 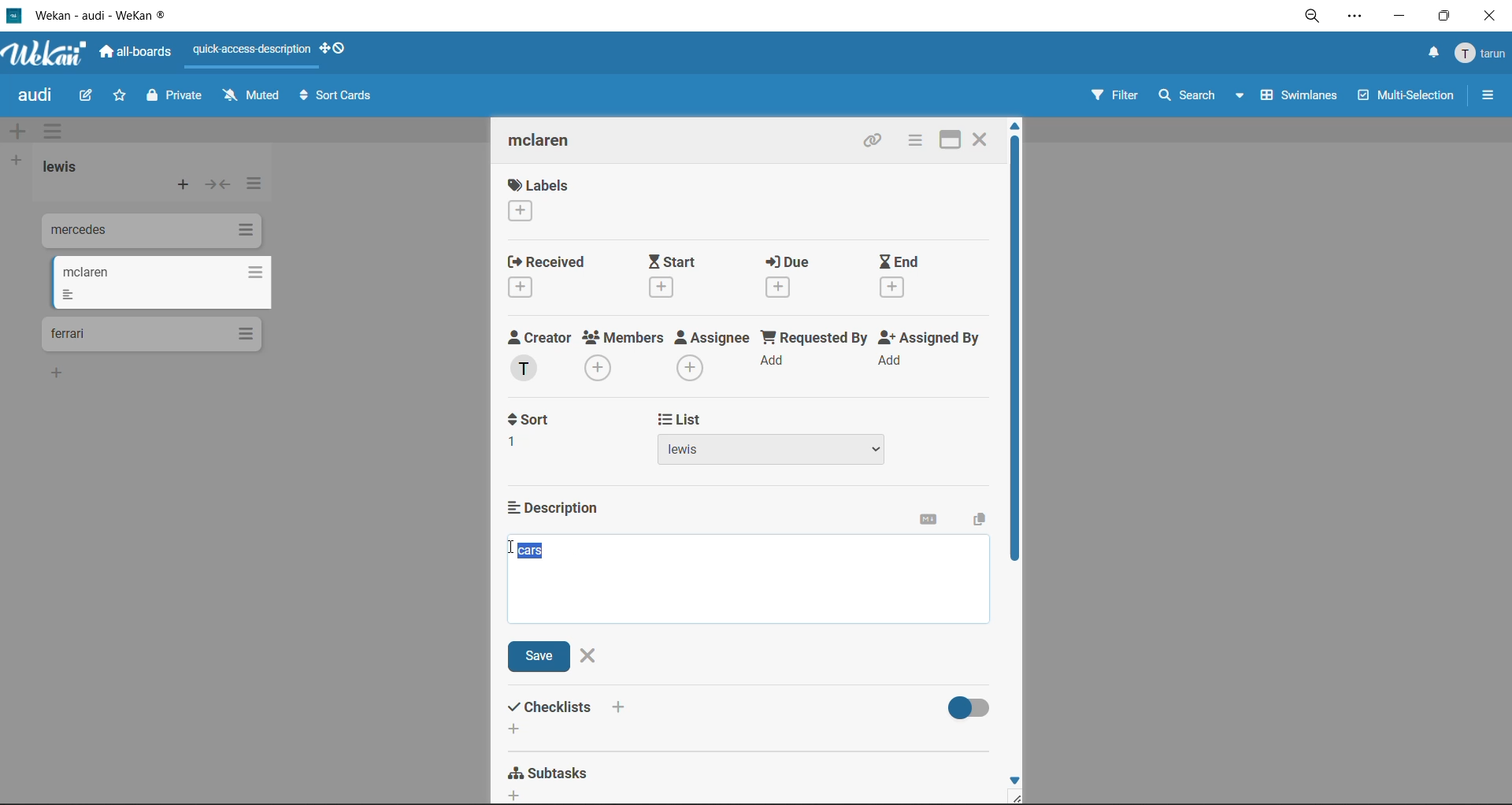 What do you see at coordinates (552, 276) in the screenshot?
I see `recieved` at bounding box center [552, 276].